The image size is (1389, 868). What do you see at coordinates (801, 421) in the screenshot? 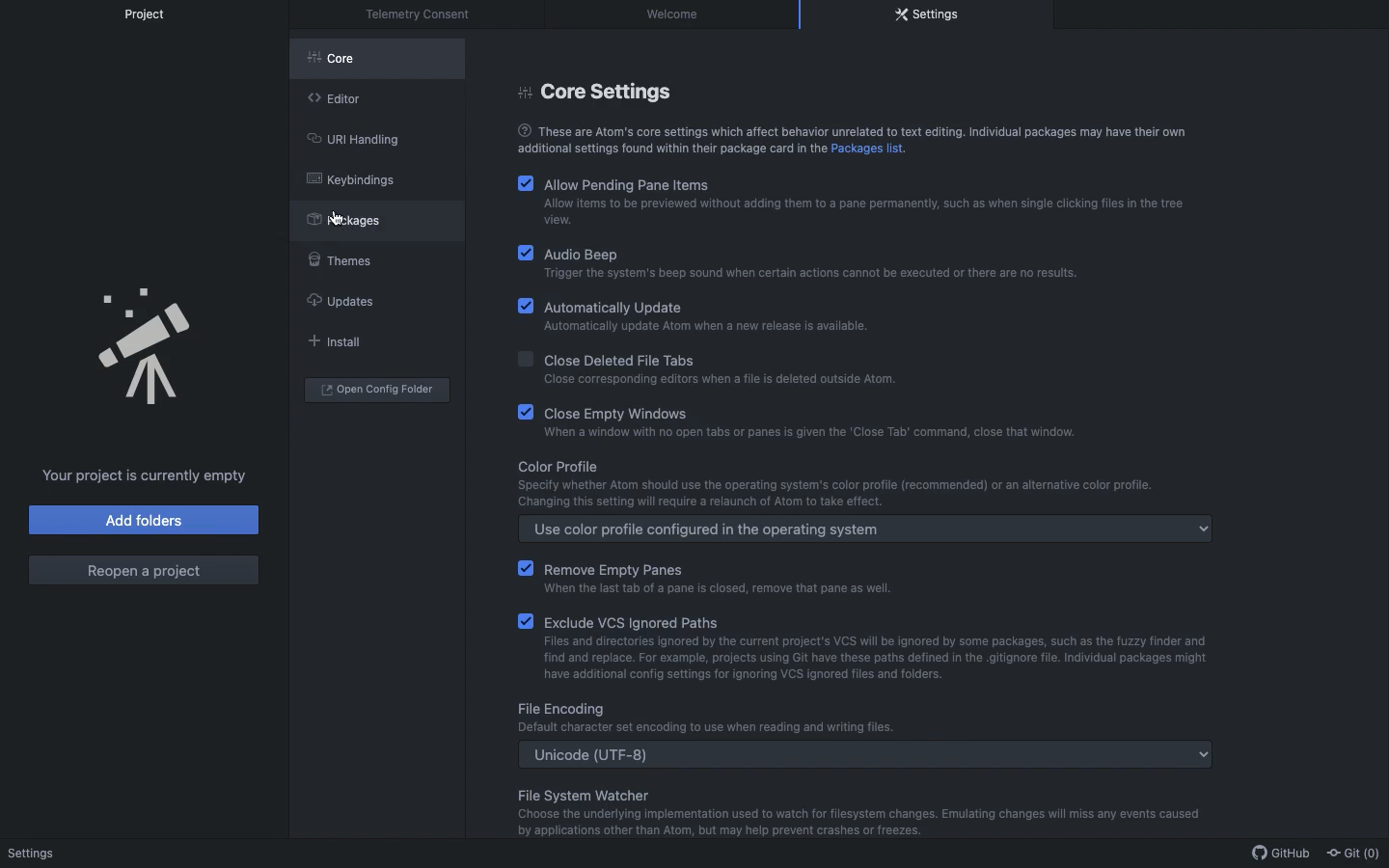
I see `Close Empty Windows. When a window with no open tabs or panes is given the ‘Close Tab’ command, close that window.` at bounding box center [801, 421].